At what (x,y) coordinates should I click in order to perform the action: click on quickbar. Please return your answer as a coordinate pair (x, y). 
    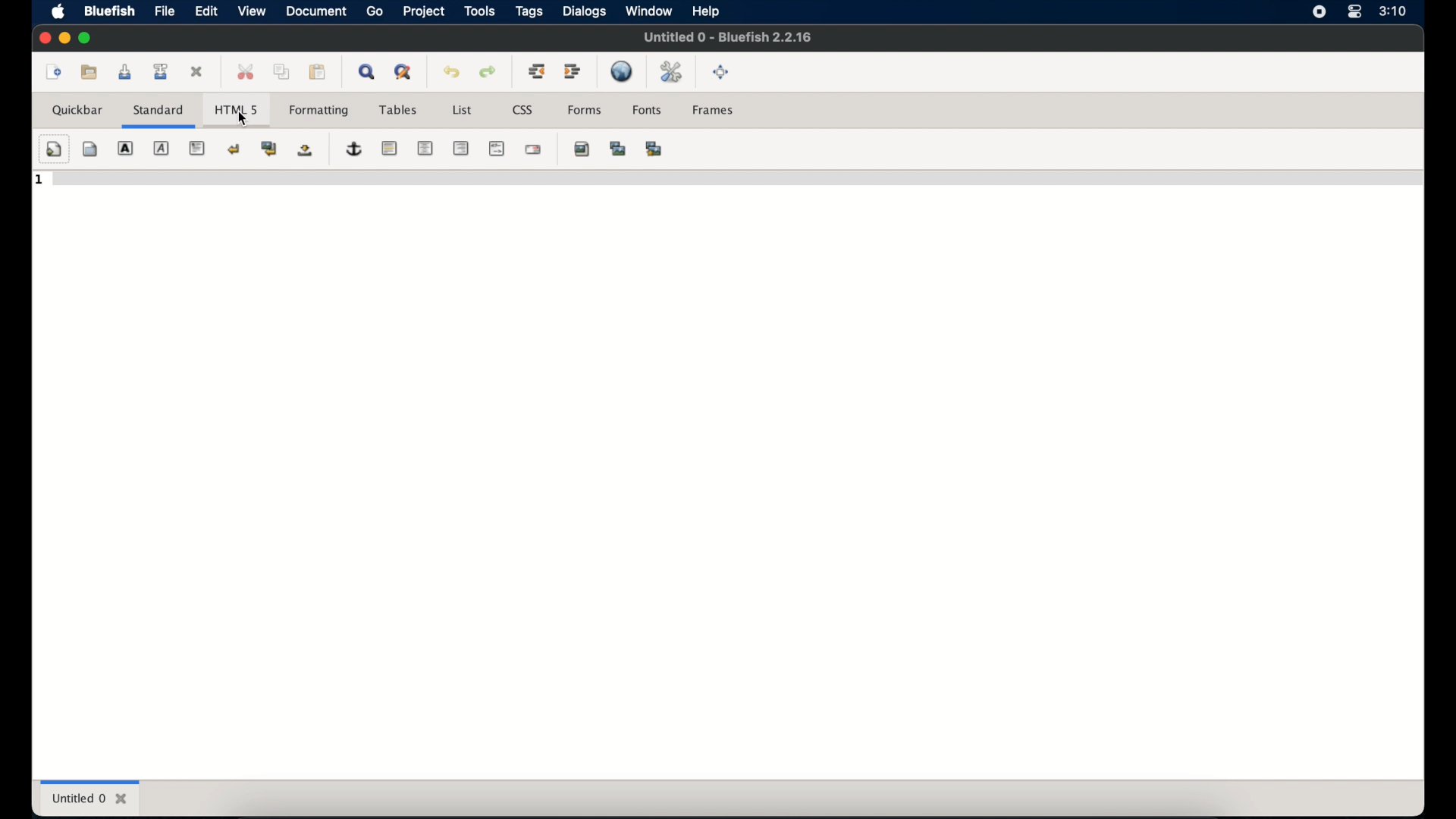
    Looking at the image, I should click on (79, 110).